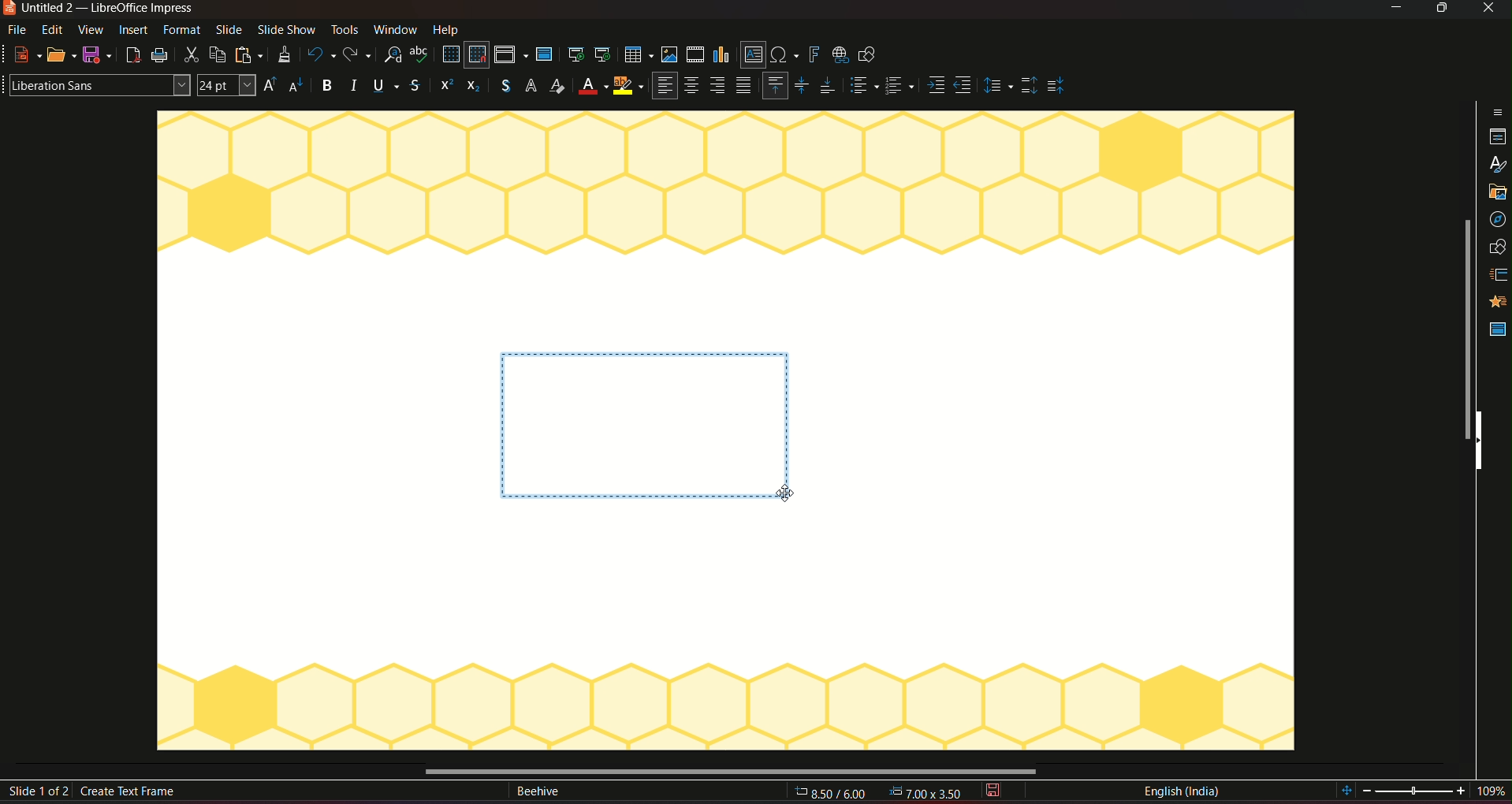 The width and height of the screenshot is (1512, 804). What do you see at coordinates (472, 87) in the screenshot?
I see `icon` at bounding box center [472, 87].